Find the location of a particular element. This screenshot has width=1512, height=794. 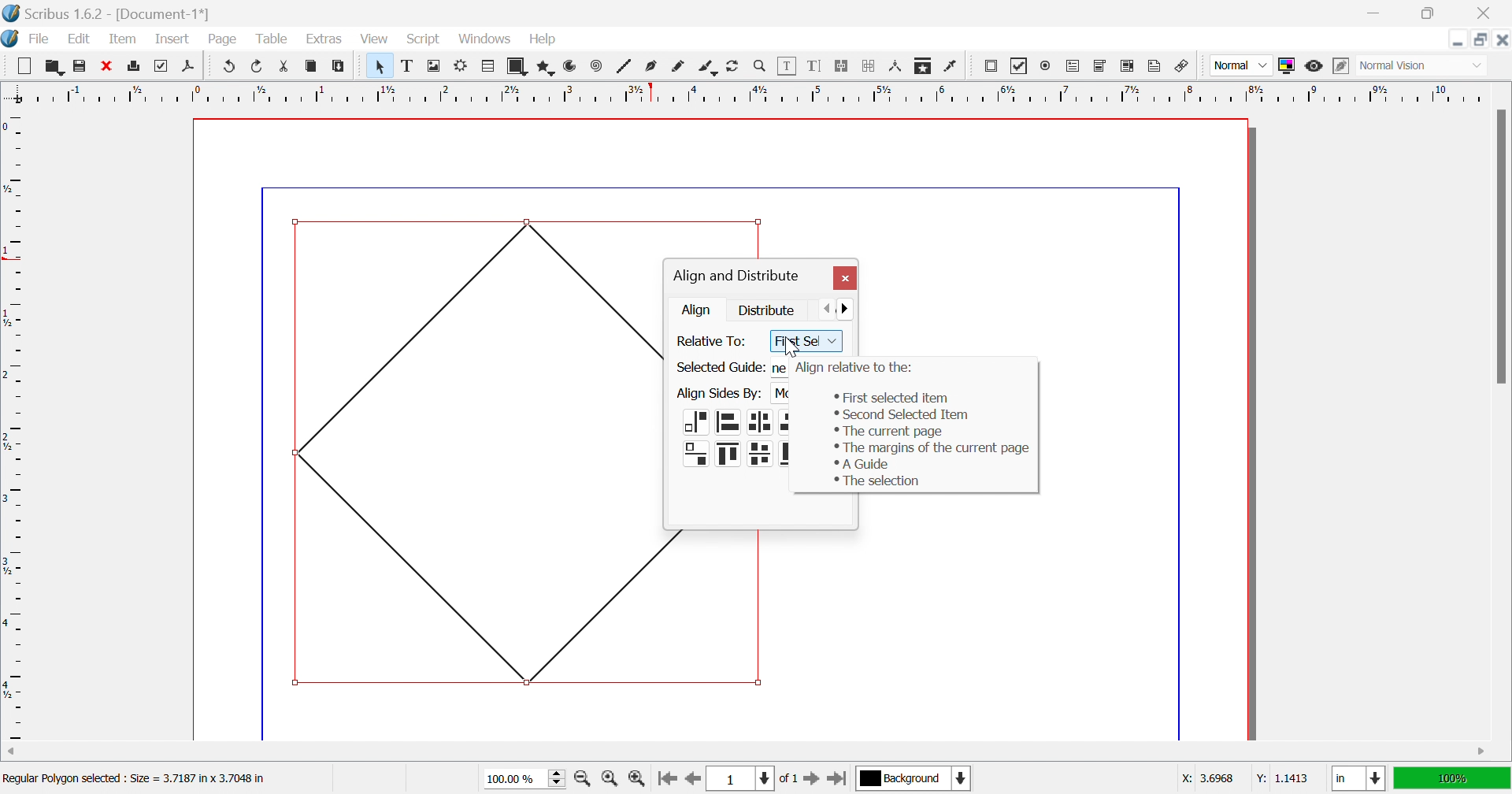

First selected item is located at coordinates (888, 396).